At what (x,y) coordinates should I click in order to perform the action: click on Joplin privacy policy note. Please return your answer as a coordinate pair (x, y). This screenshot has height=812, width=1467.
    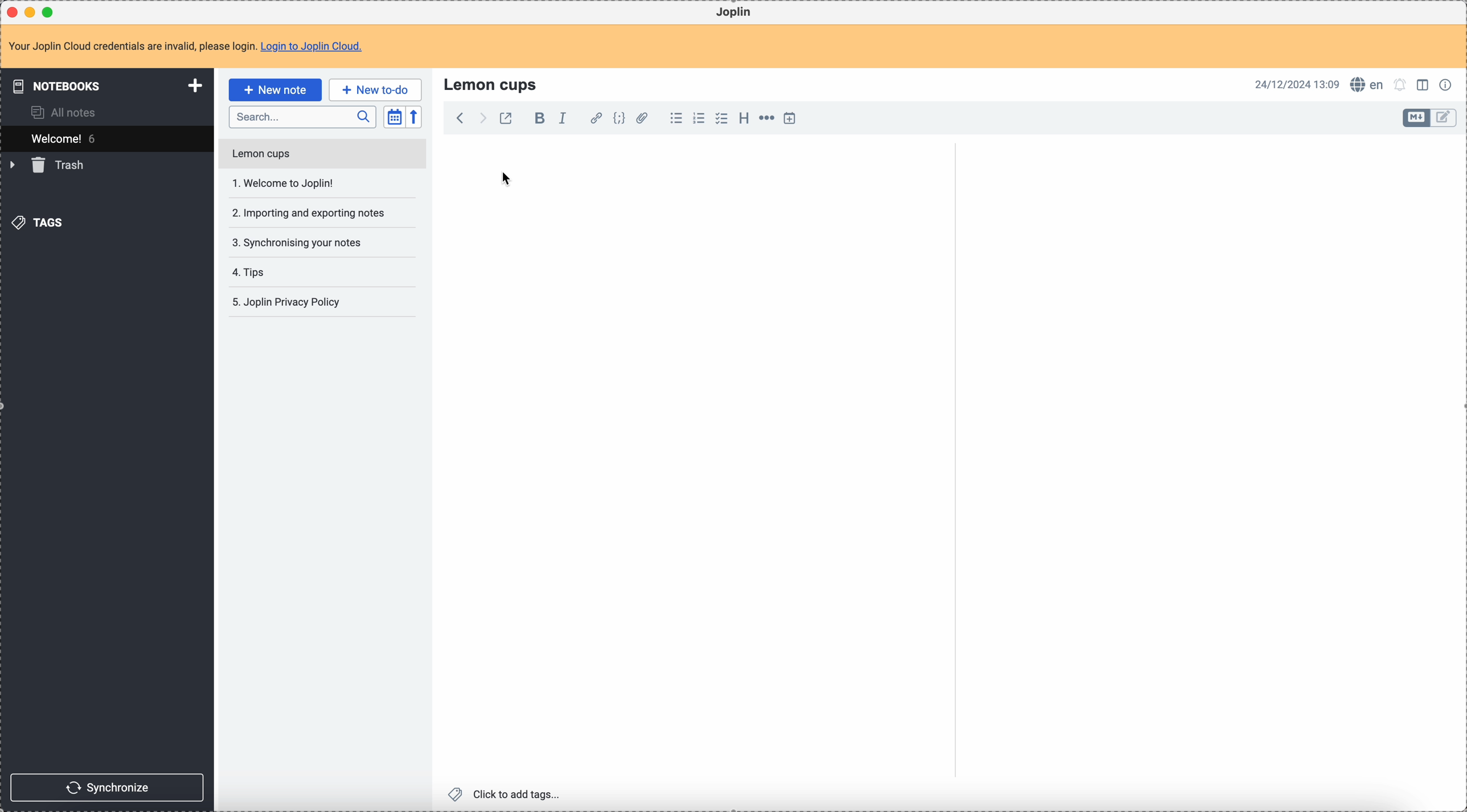
    Looking at the image, I should click on (289, 302).